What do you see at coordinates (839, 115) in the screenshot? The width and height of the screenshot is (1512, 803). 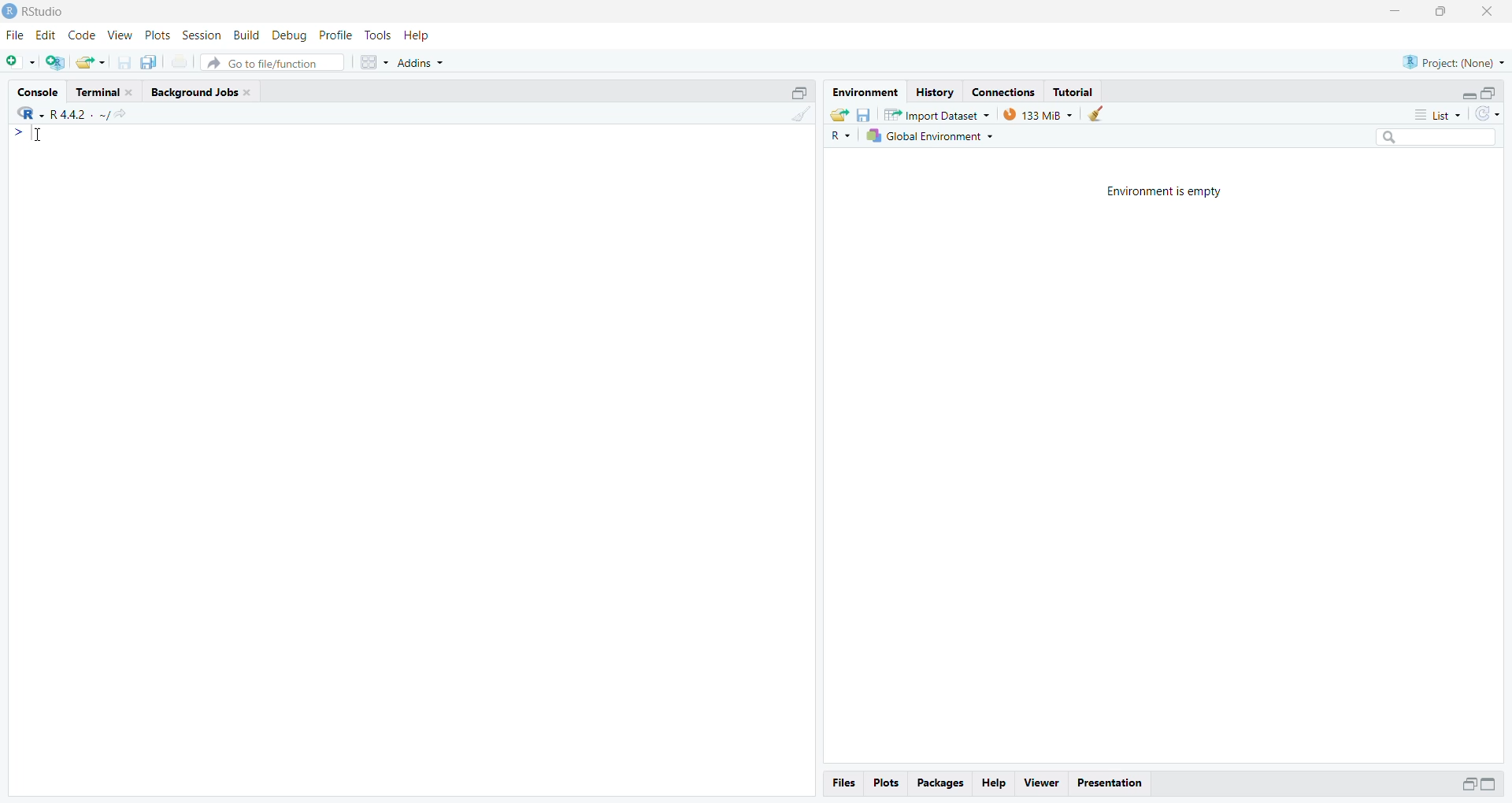 I see `Load workspace` at bounding box center [839, 115].